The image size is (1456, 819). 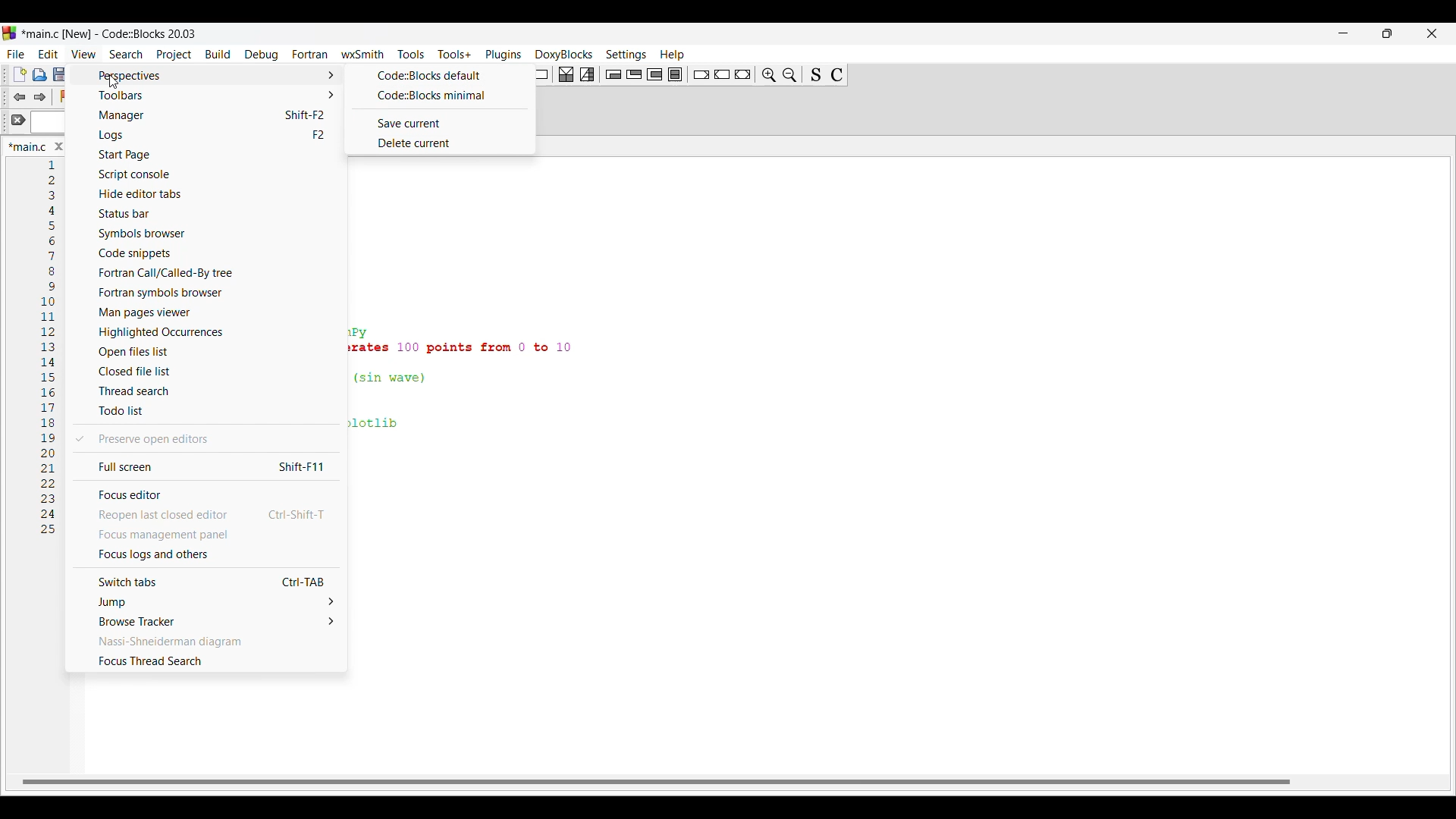 I want to click on Text box and text options, so click(x=52, y=124).